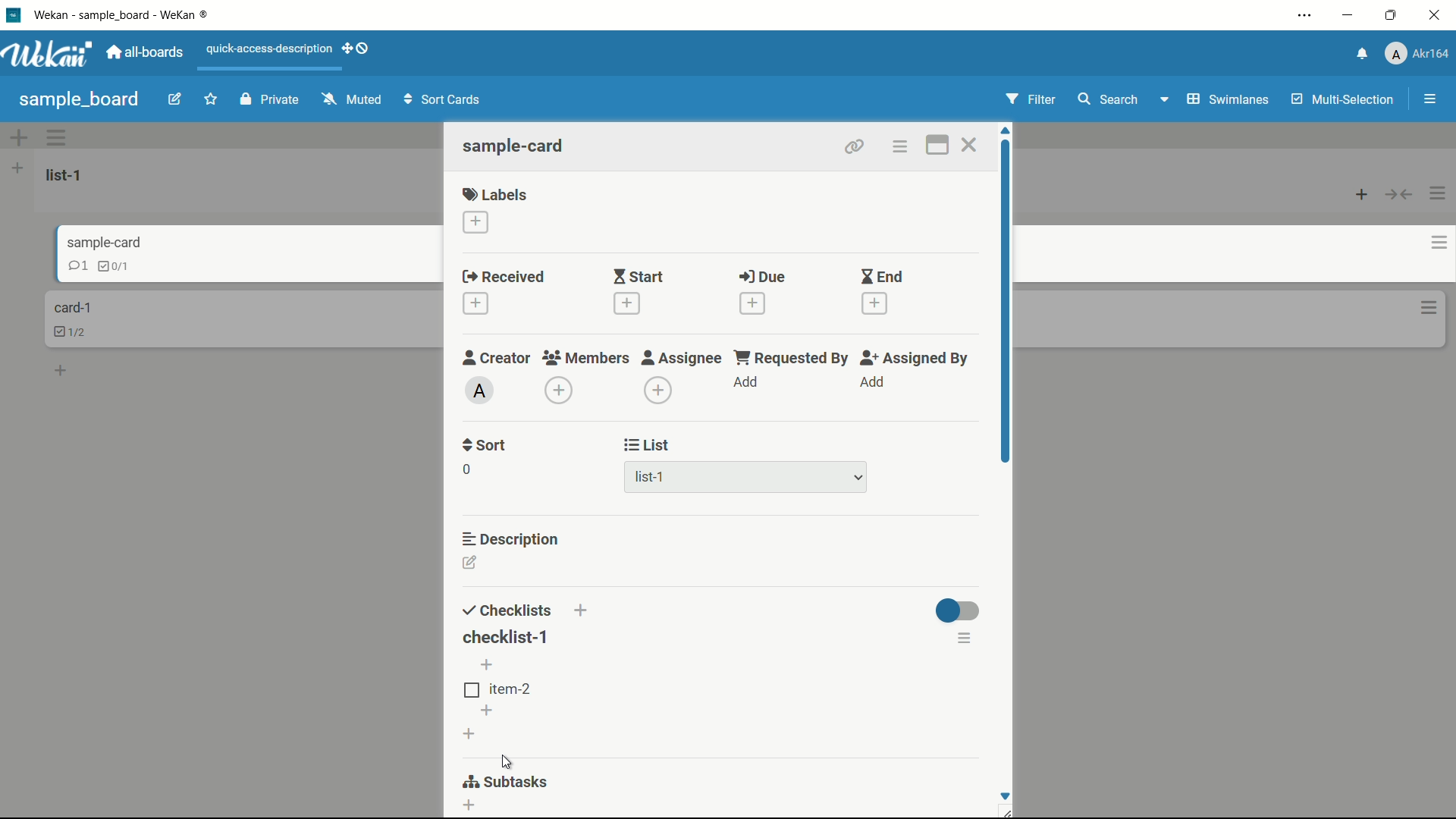 This screenshot has width=1456, height=819. Describe the element at coordinates (649, 445) in the screenshot. I see `list` at that location.